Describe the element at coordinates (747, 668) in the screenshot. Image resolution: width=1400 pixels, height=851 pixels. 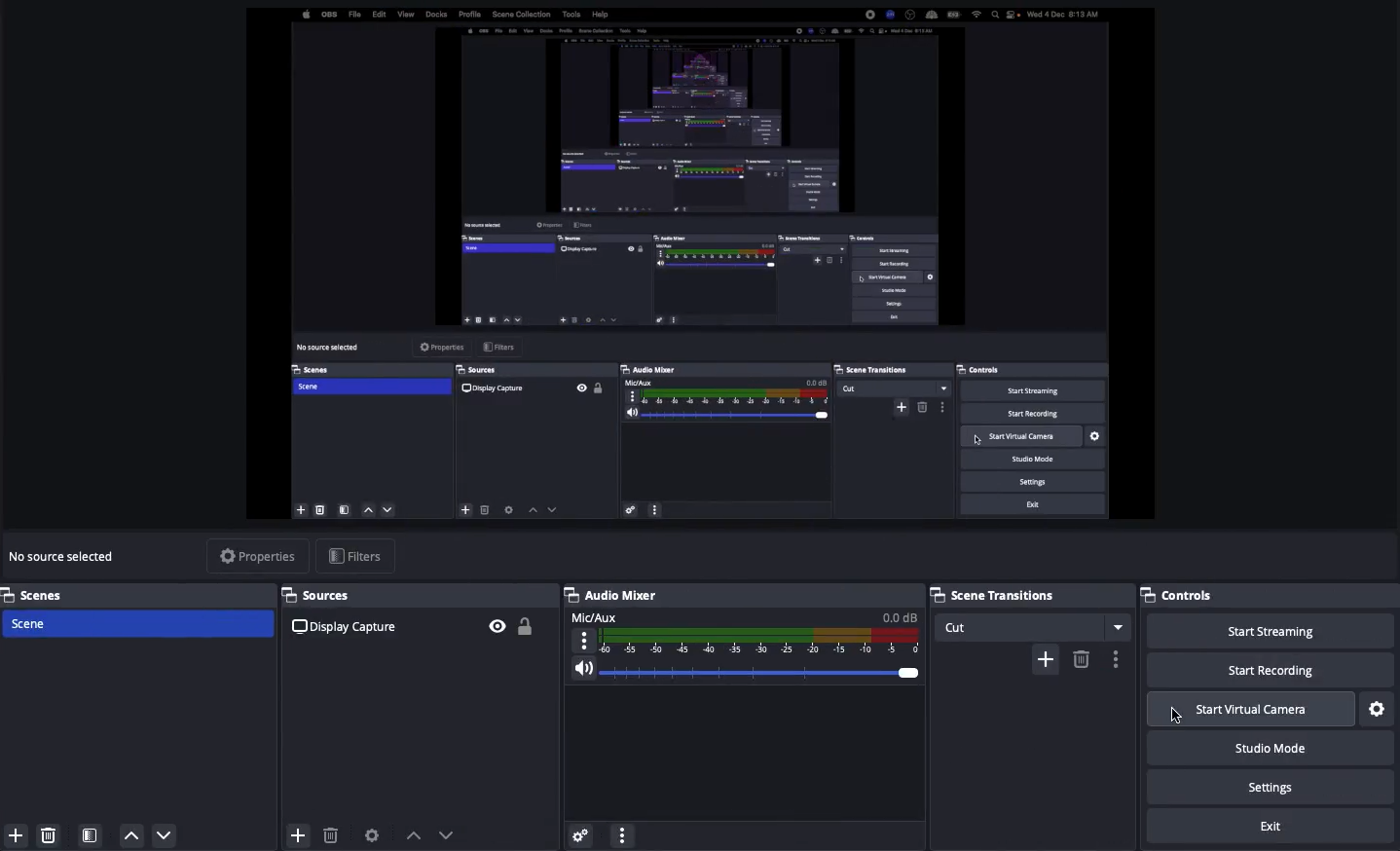
I see `Volume` at that location.